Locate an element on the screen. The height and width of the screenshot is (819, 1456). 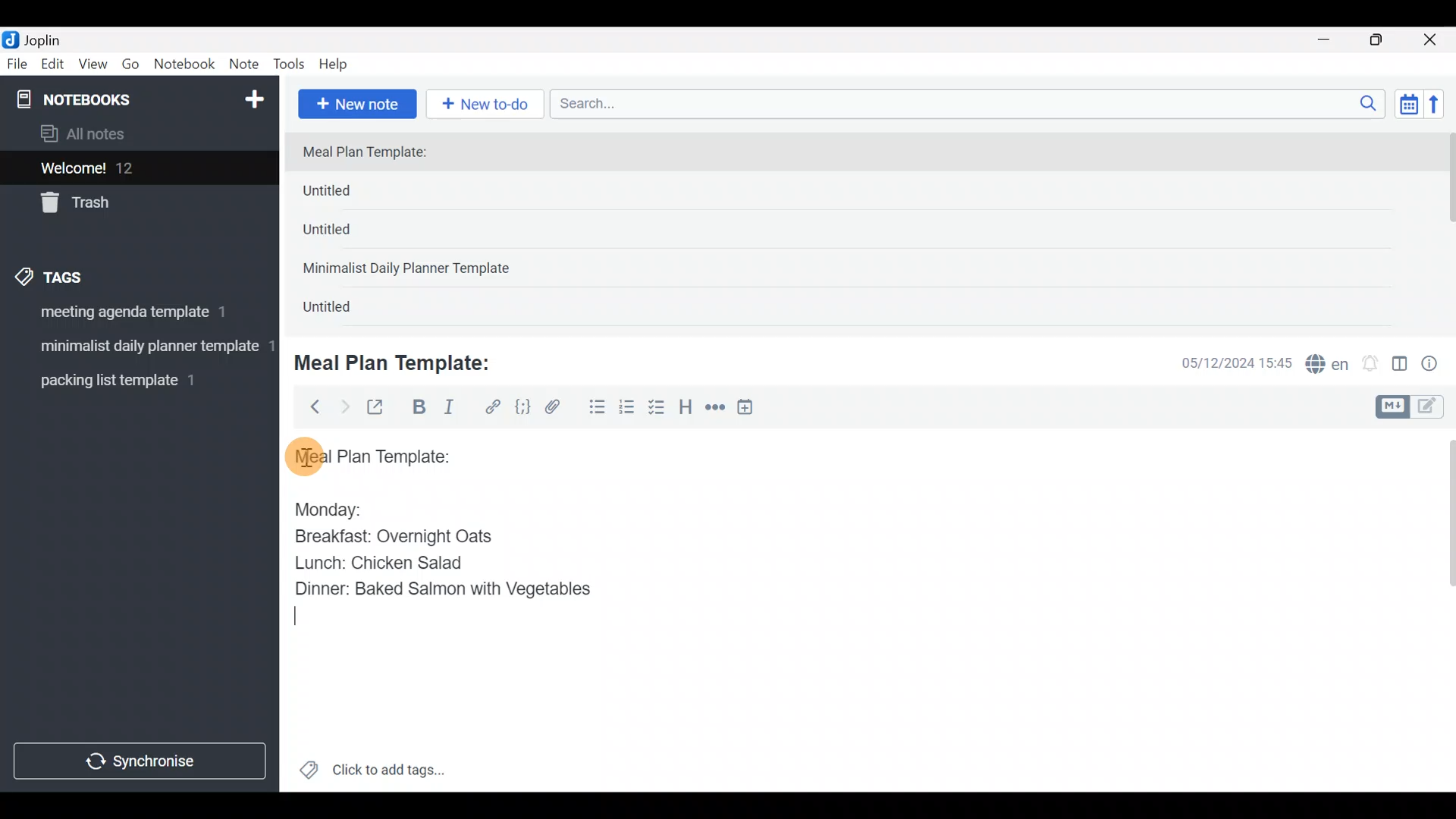
Close is located at coordinates (1432, 41).